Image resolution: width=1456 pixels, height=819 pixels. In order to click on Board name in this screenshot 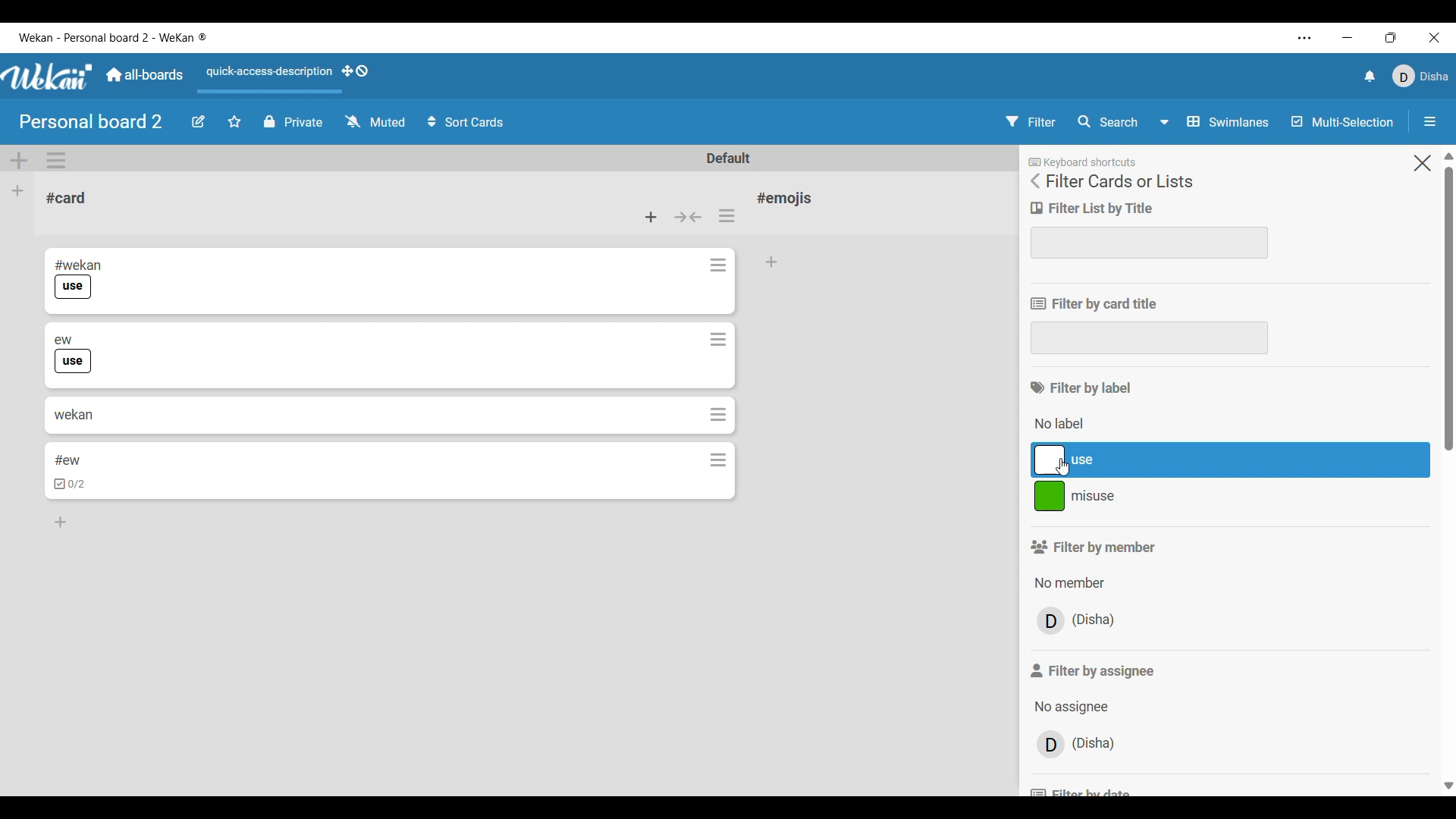, I will do `click(90, 121)`.